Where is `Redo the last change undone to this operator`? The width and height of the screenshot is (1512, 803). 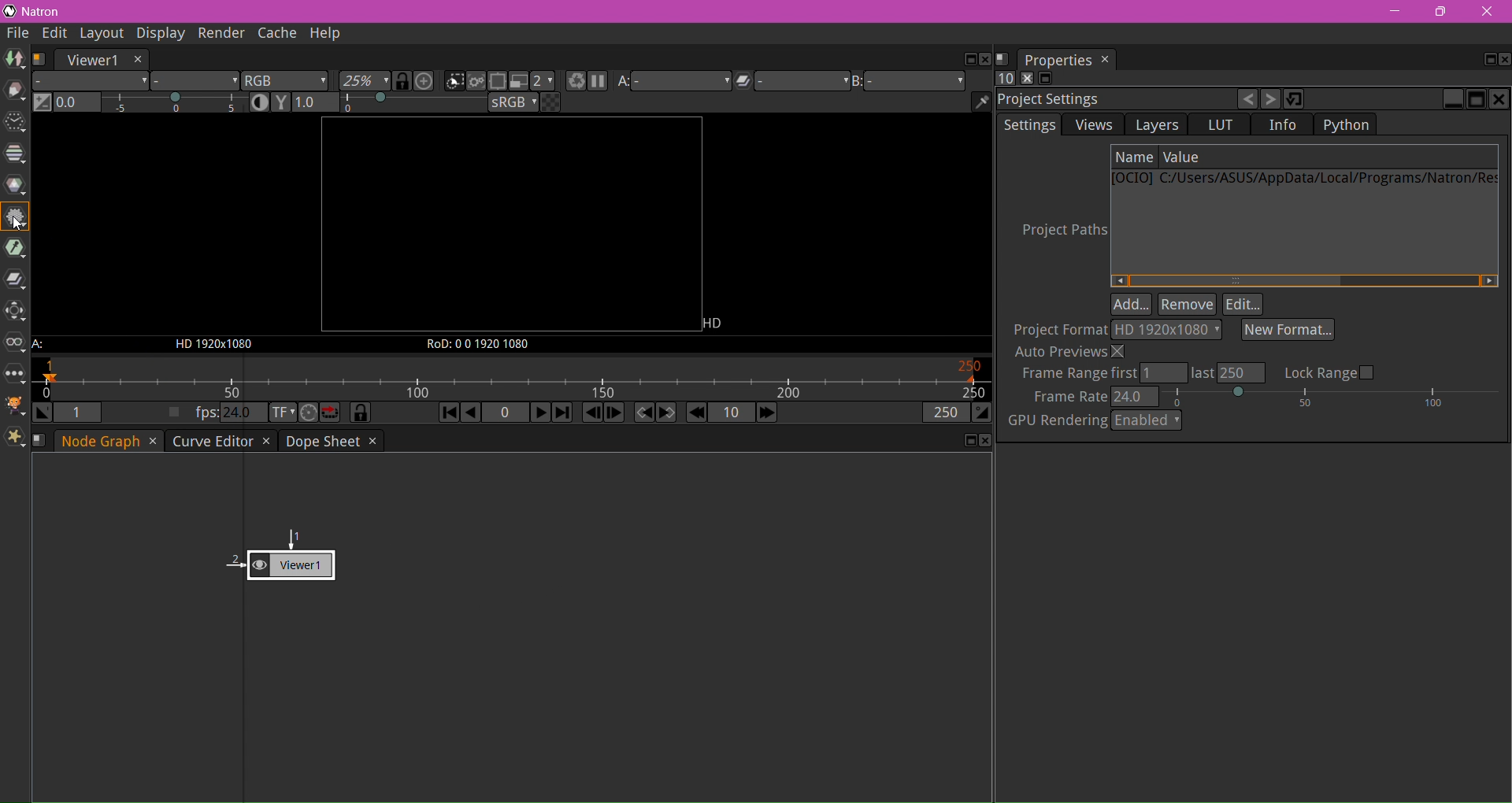
Redo the last change undone to this operator is located at coordinates (1272, 100).